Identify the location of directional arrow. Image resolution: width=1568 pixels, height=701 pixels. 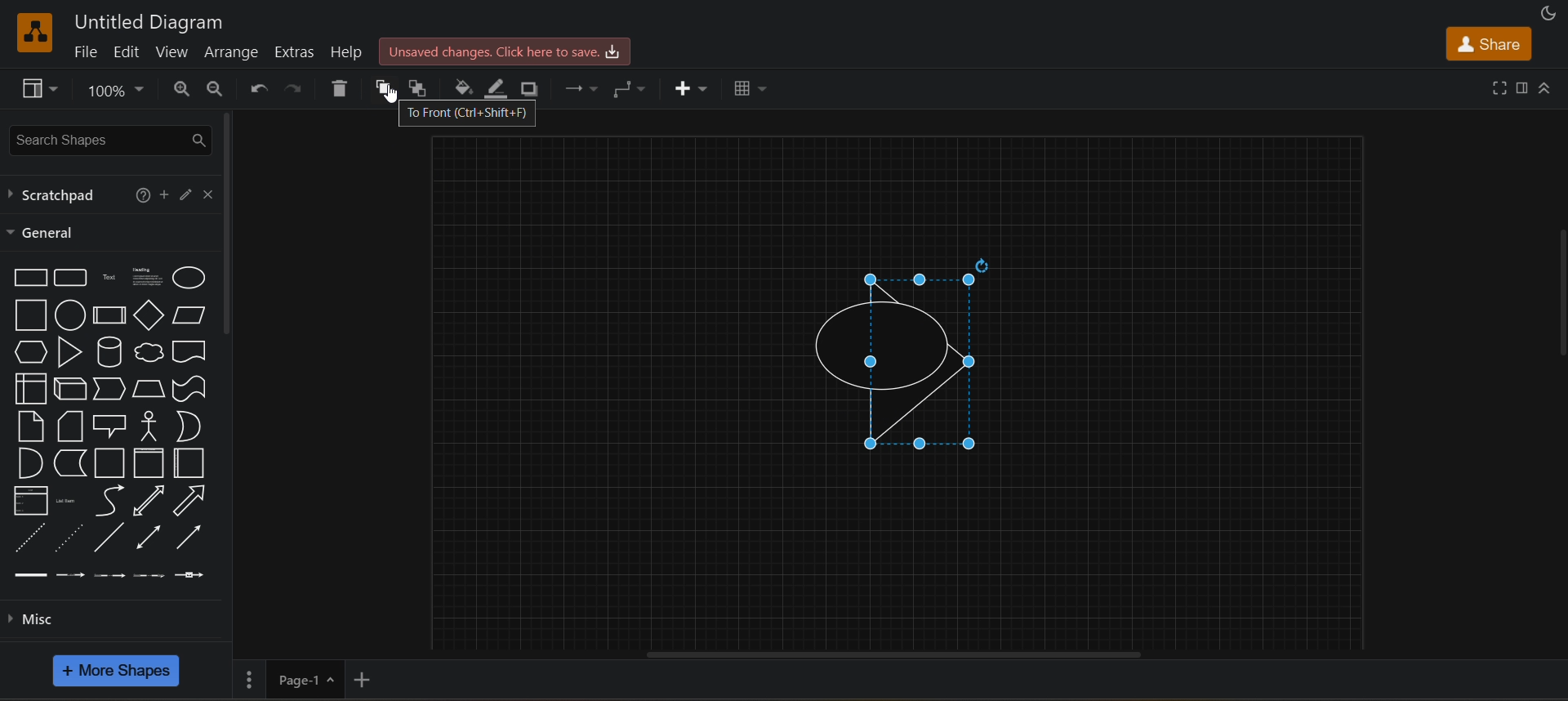
(189, 352).